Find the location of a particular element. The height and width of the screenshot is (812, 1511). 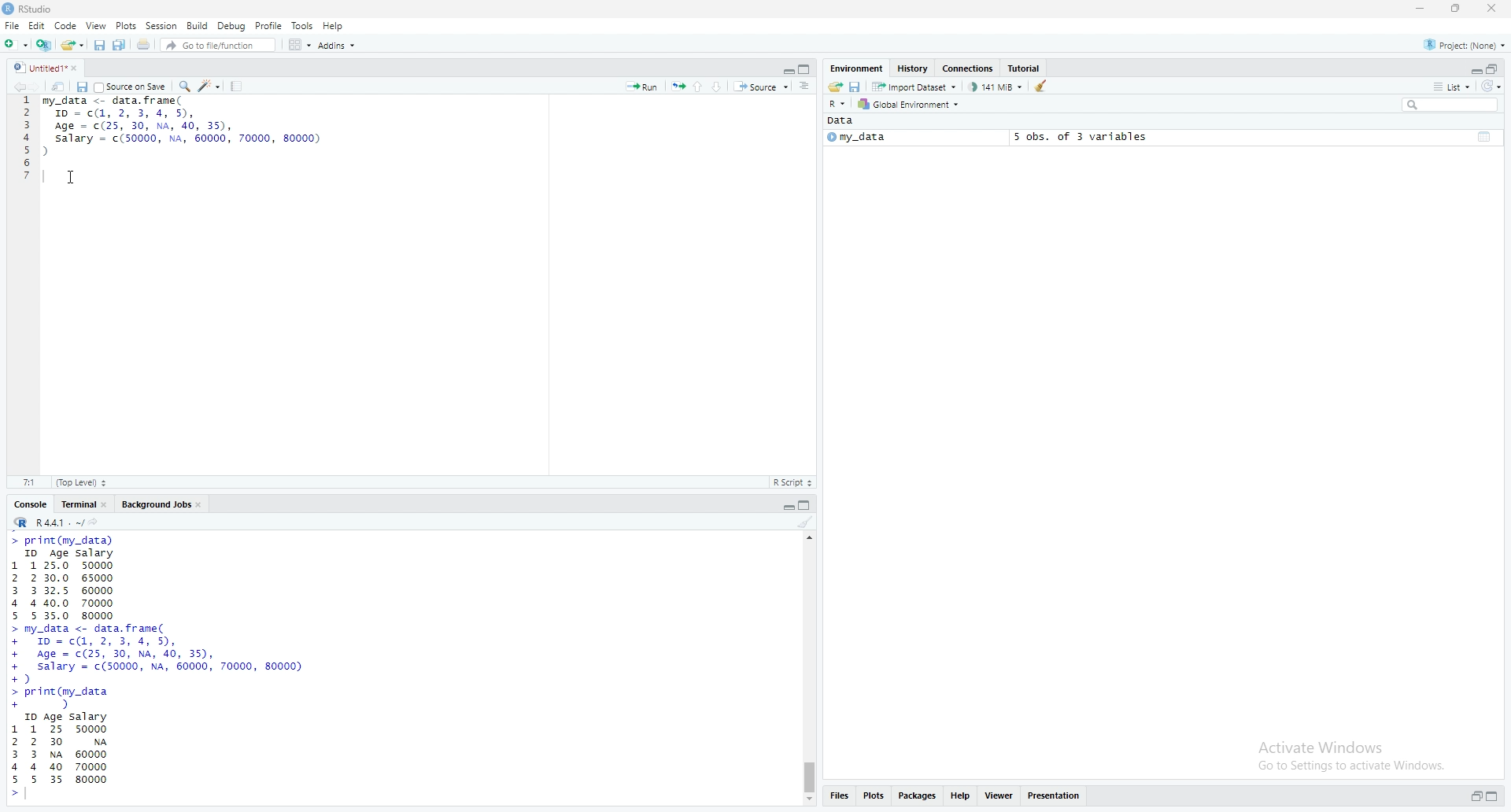

5 obs, of 3 variables is located at coordinates (1074, 136).